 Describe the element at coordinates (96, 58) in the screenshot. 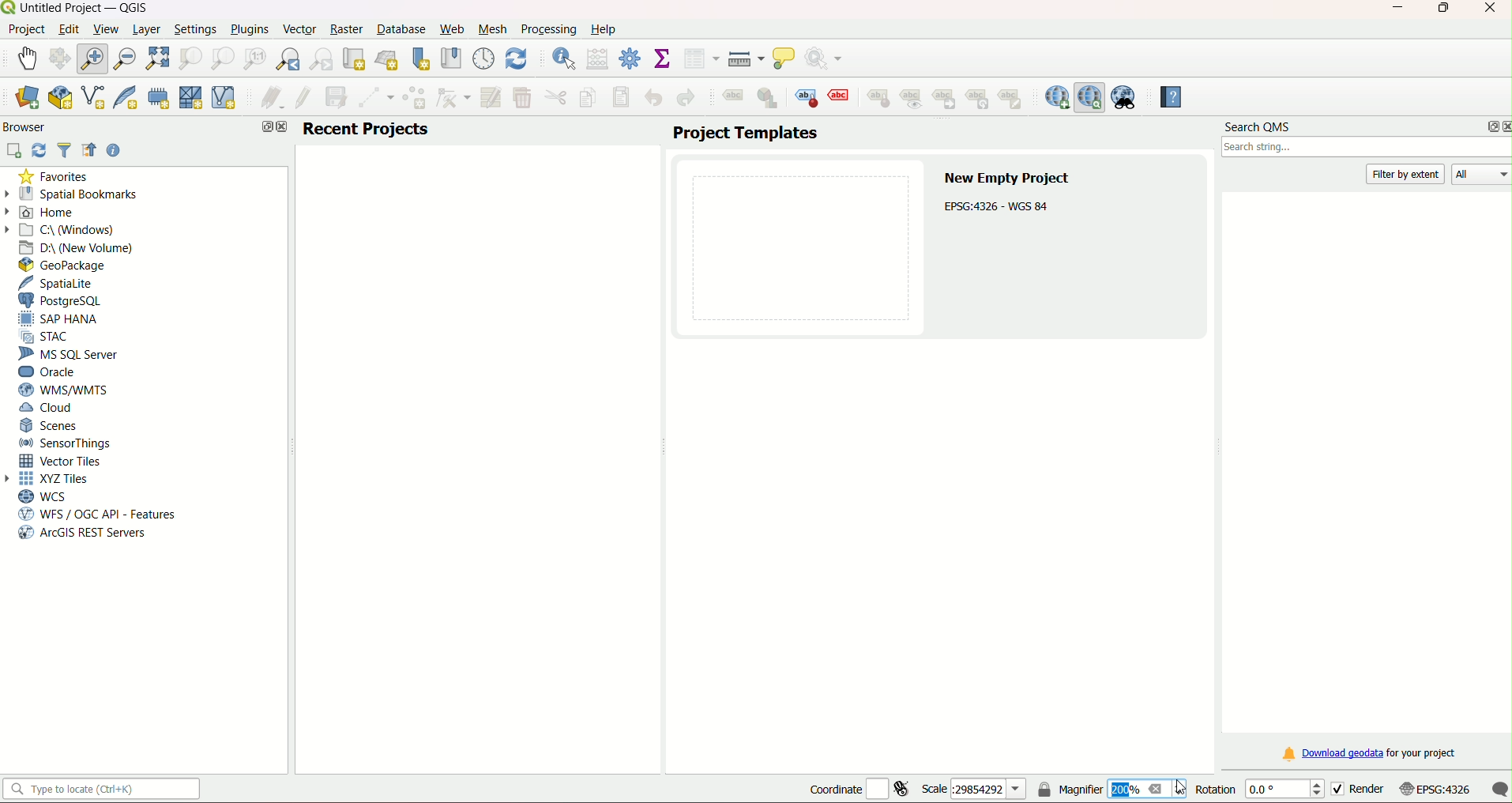

I see `zoom in` at that location.